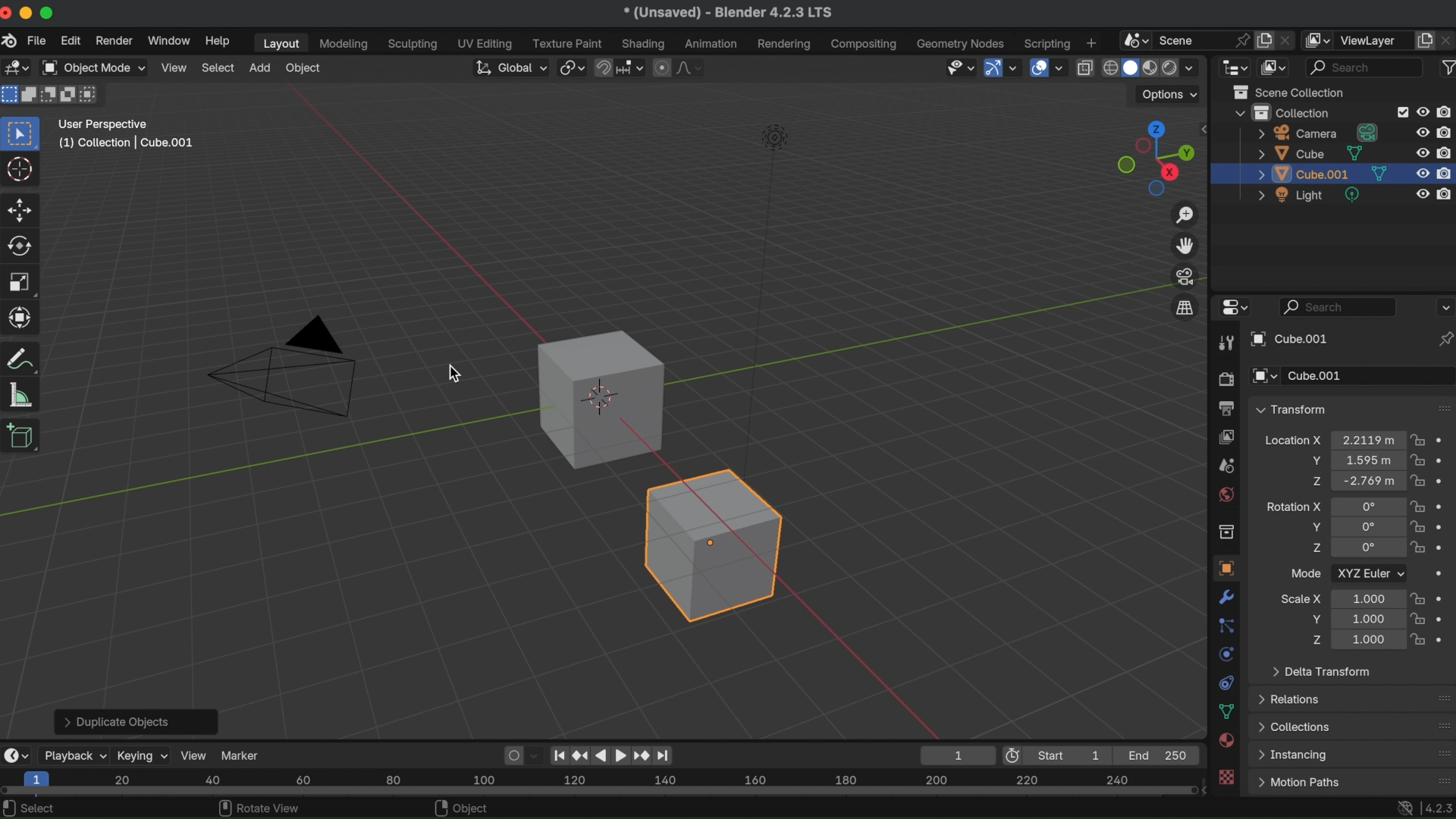 Image resolution: width=1456 pixels, height=819 pixels. What do you see at coordinates (1443, 441) in the screenshot?
I see `animate property` at bounding box center [1443, 441].